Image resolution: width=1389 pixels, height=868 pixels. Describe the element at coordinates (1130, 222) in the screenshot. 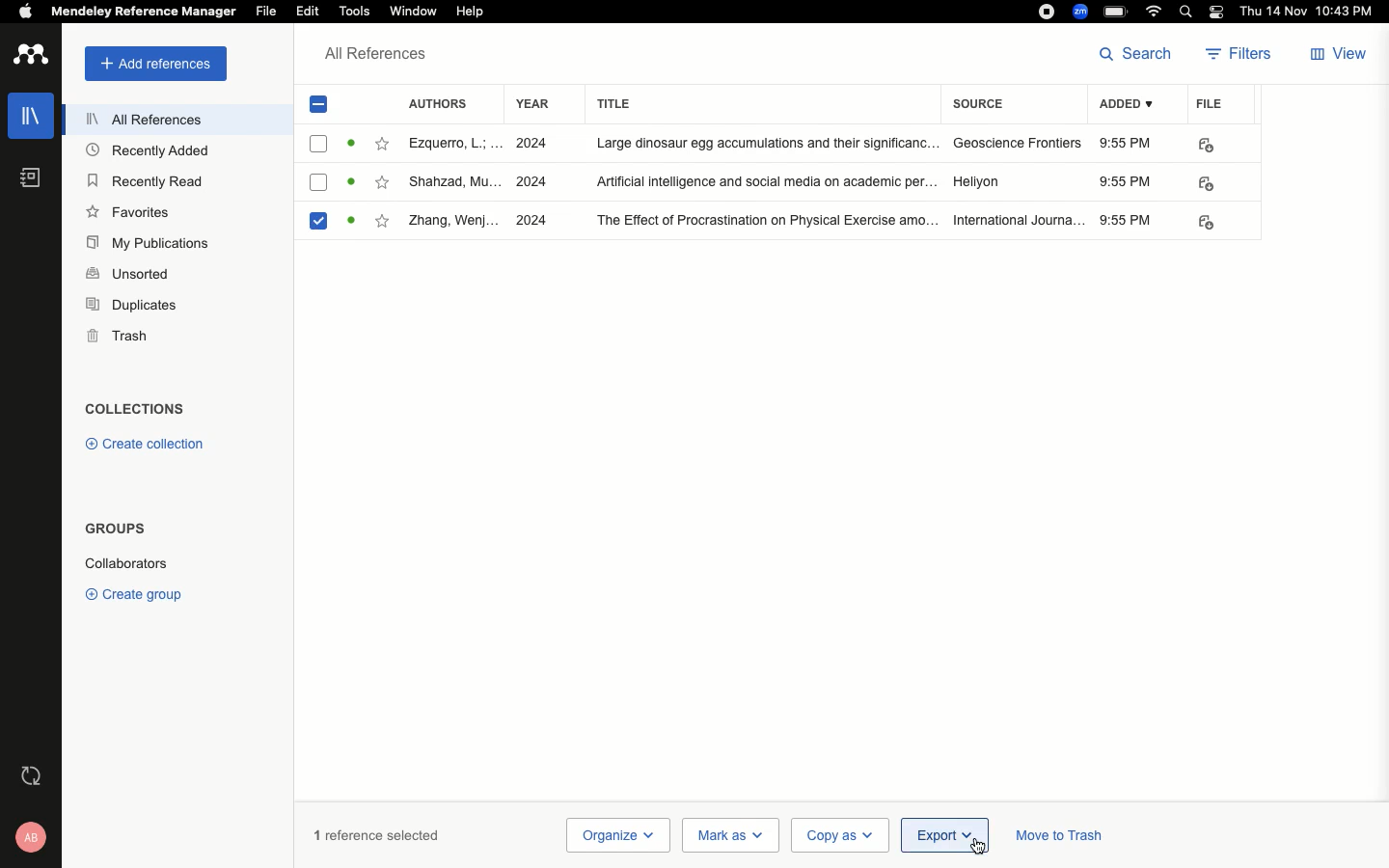

I see `9:55 PM` at that location.